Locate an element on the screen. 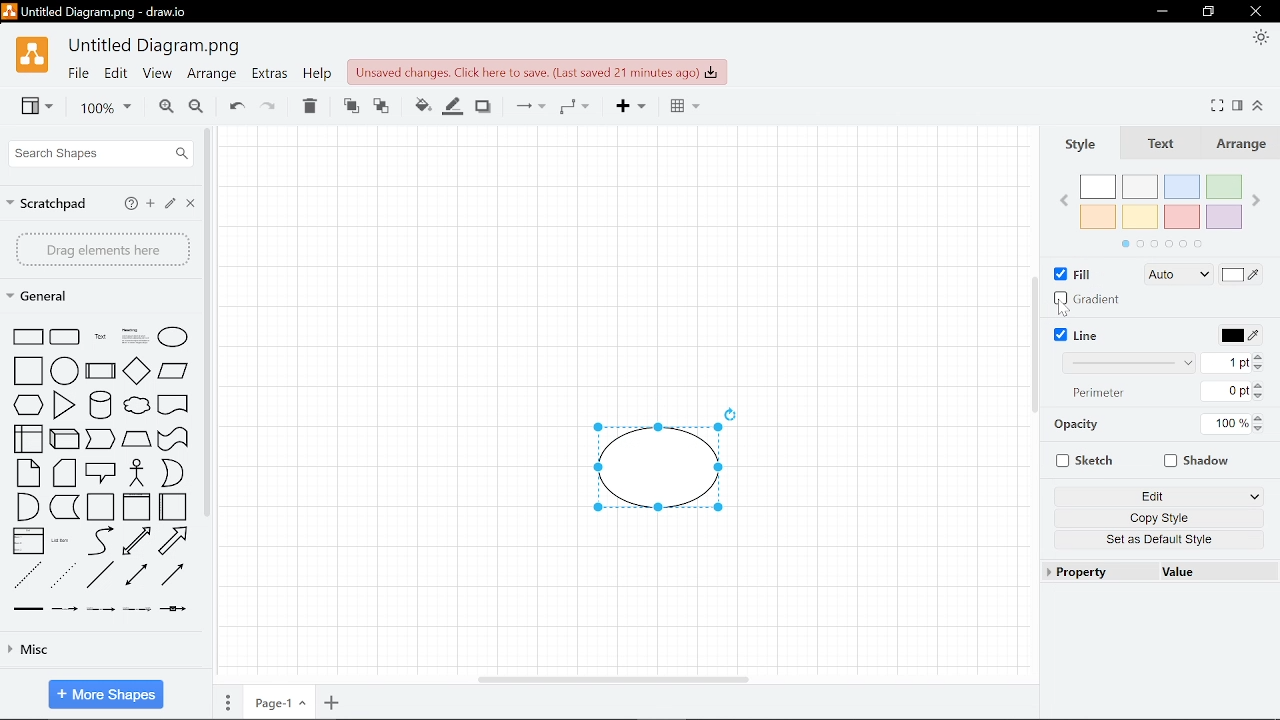 This screenshot has width=1280, height=720. Redo is located at coordinates (268, 104).